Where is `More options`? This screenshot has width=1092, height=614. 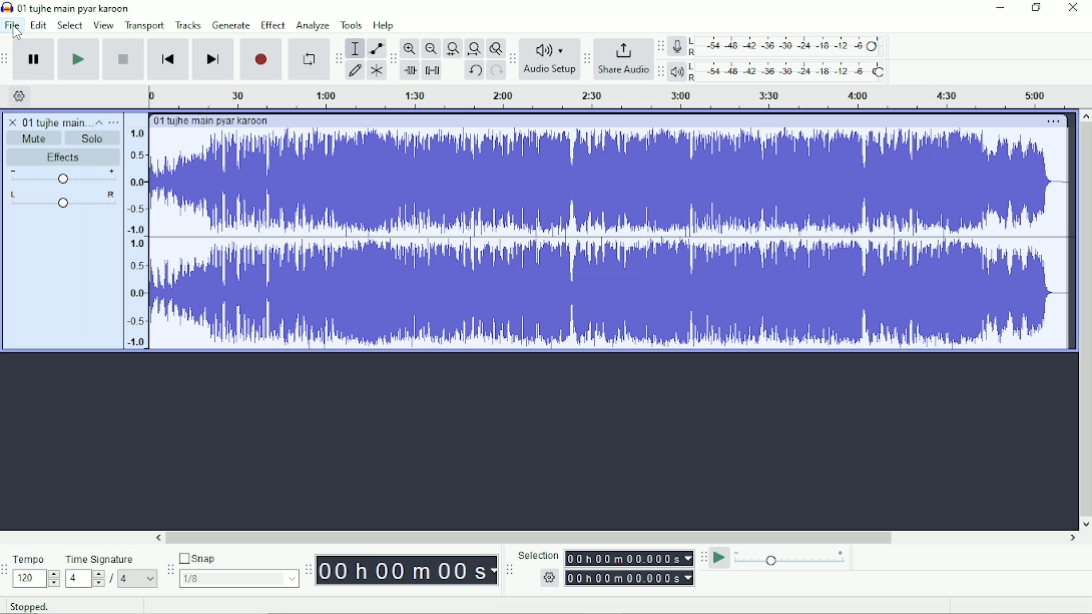
More options is located at coordinates (1056, 121).